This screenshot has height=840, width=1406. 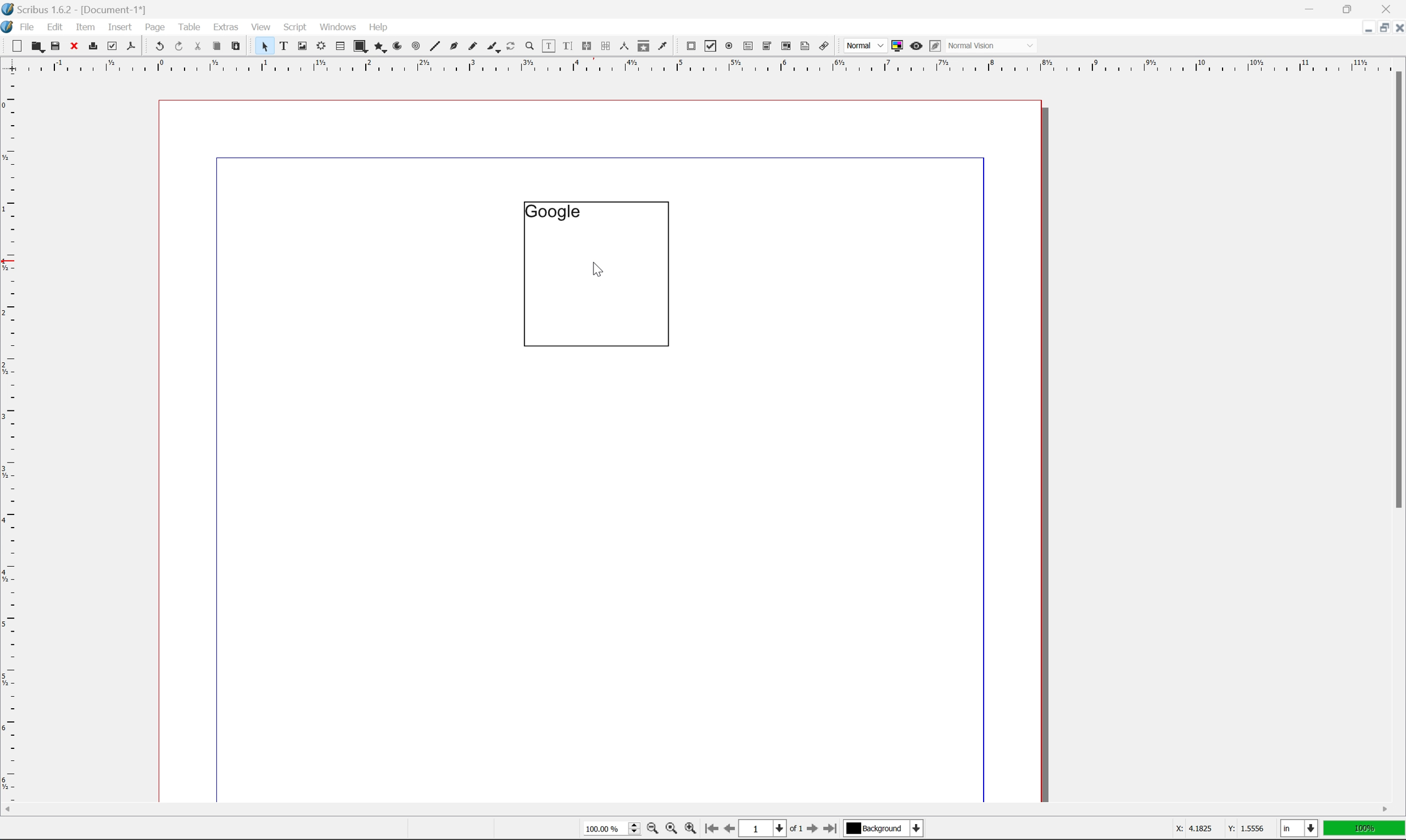 What do you see at coordinates (696, 809) in the screenshot?
I see `scroll bar` at bounding box center [696, 809].